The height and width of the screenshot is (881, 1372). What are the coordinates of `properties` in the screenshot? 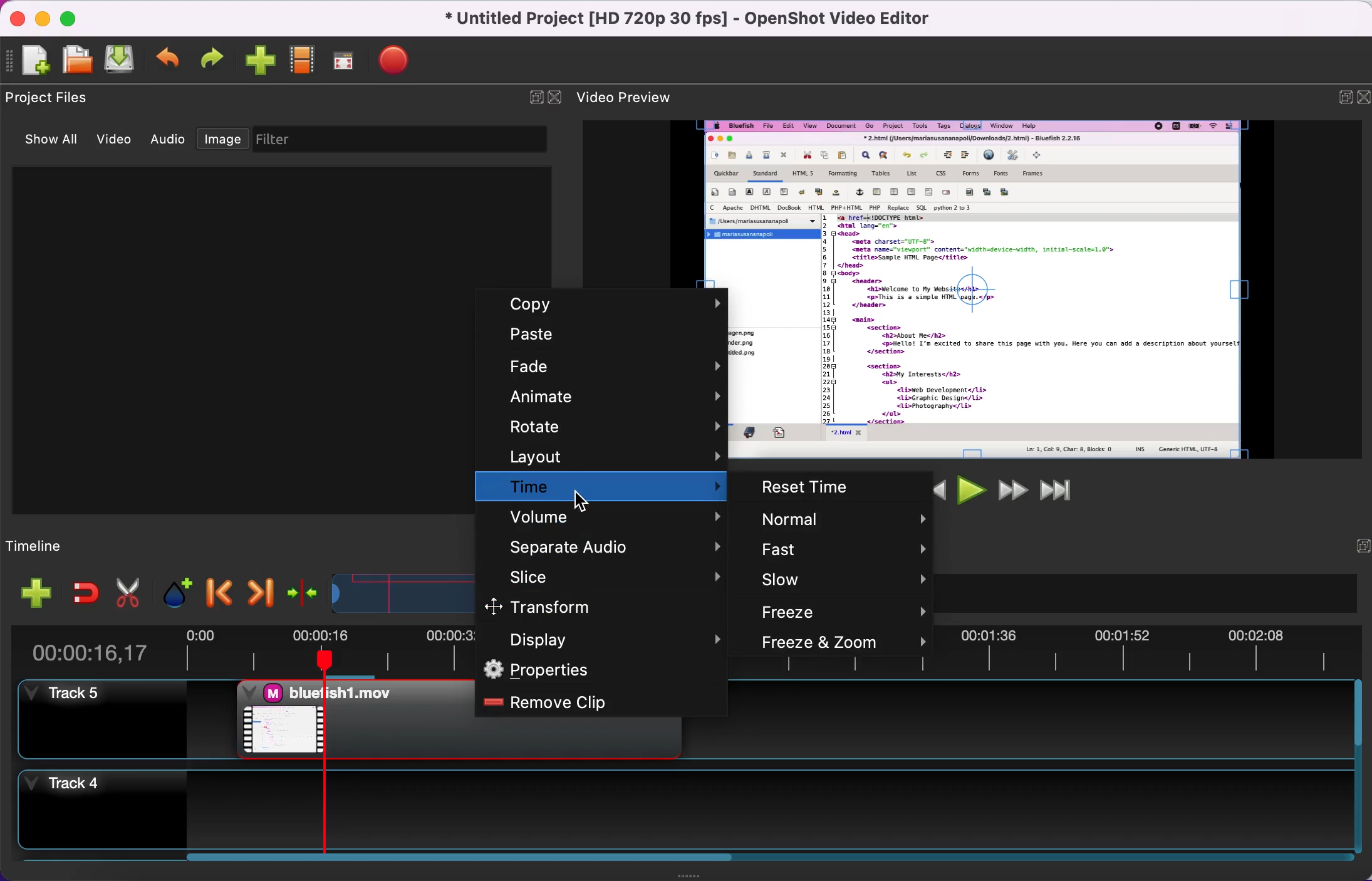 It's located at (600, 670).